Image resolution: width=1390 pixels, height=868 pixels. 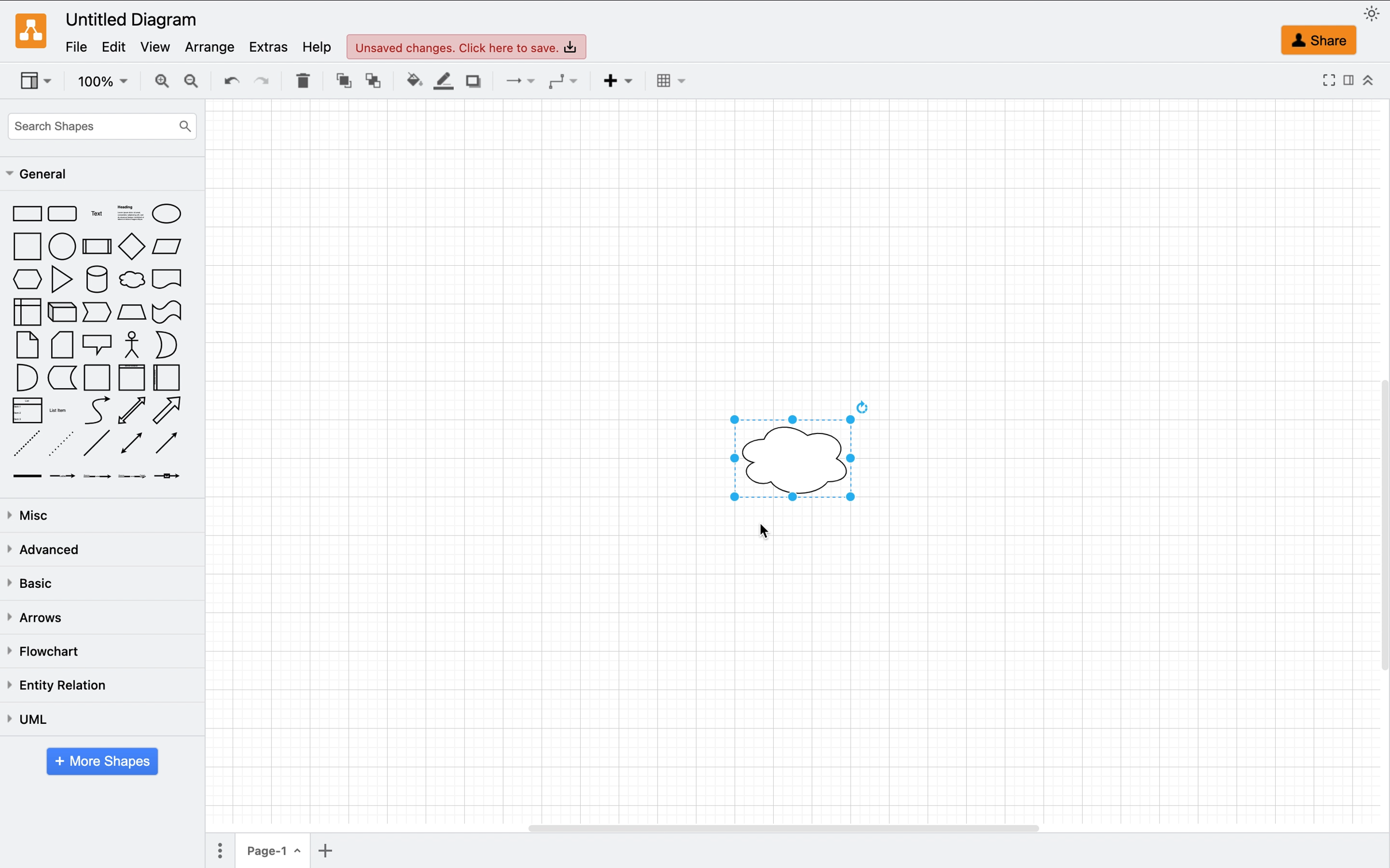 What do you see at coordinates (97, 346) in the screenshot?
I see `callout` at bounding box center [97, 346].